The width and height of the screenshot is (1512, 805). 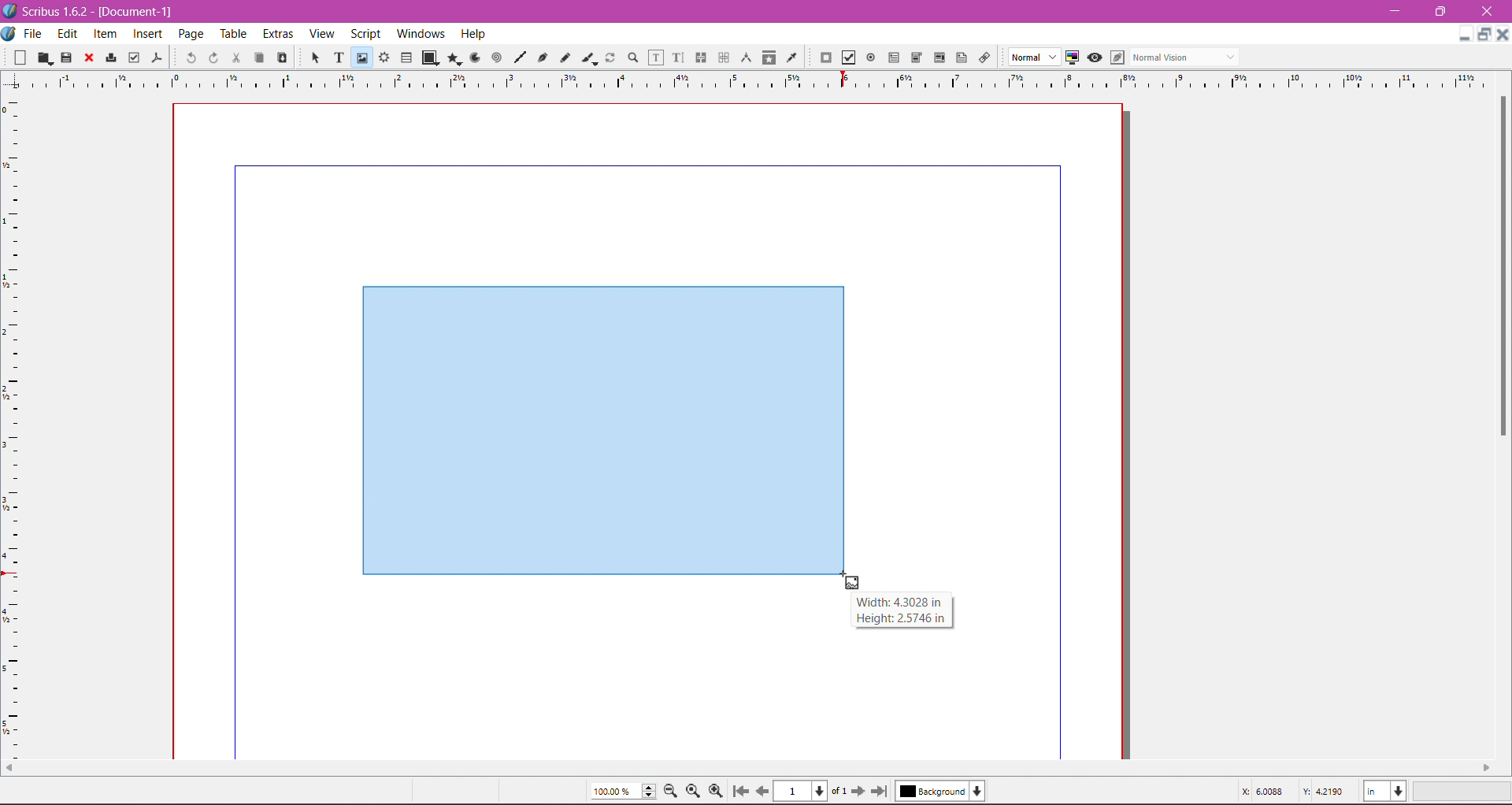 I want to click on , so click(x=1261, y=791).